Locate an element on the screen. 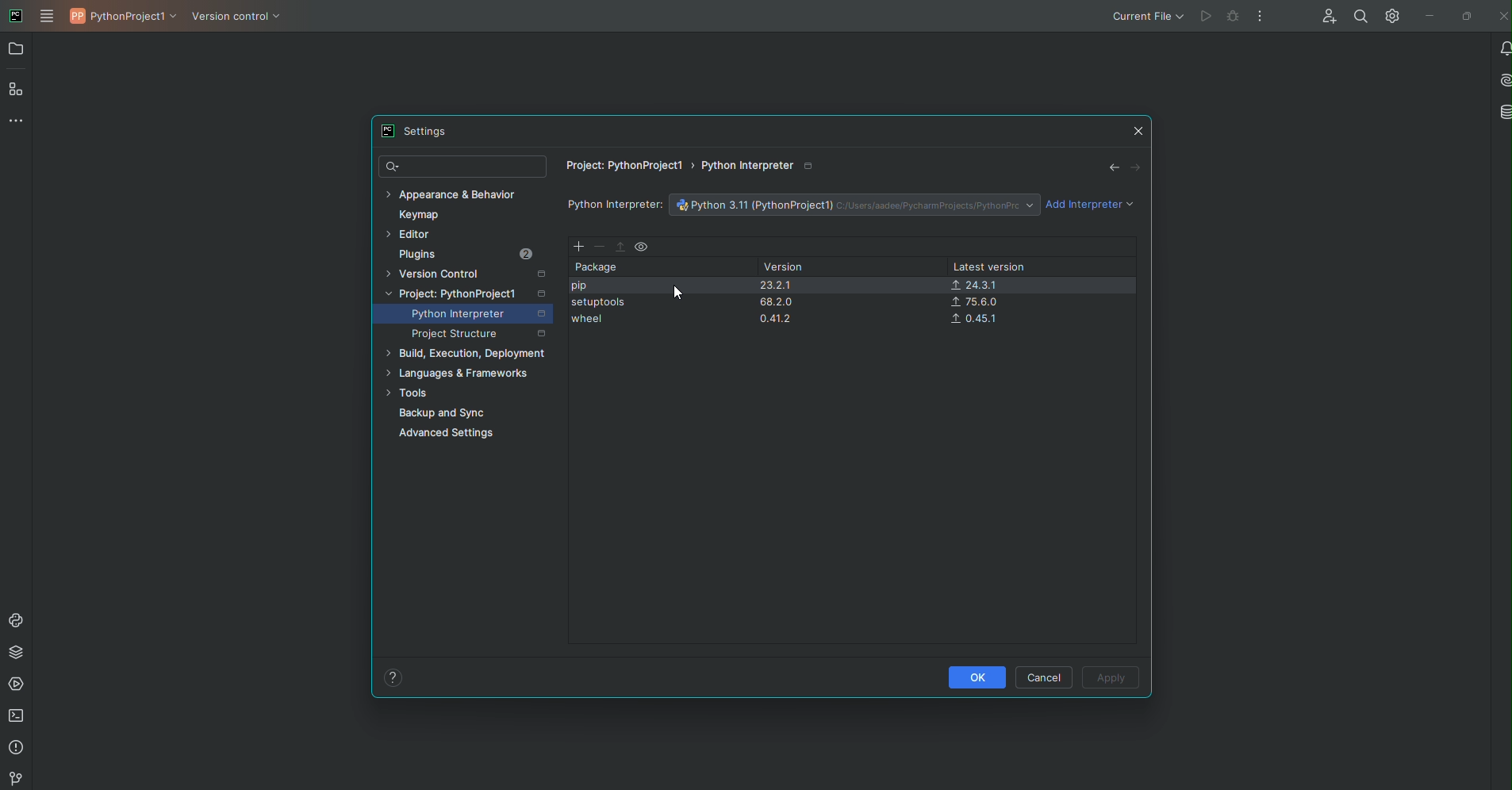 The image size is (1512, 790). Minimize is located at coordinates (1426, 17).